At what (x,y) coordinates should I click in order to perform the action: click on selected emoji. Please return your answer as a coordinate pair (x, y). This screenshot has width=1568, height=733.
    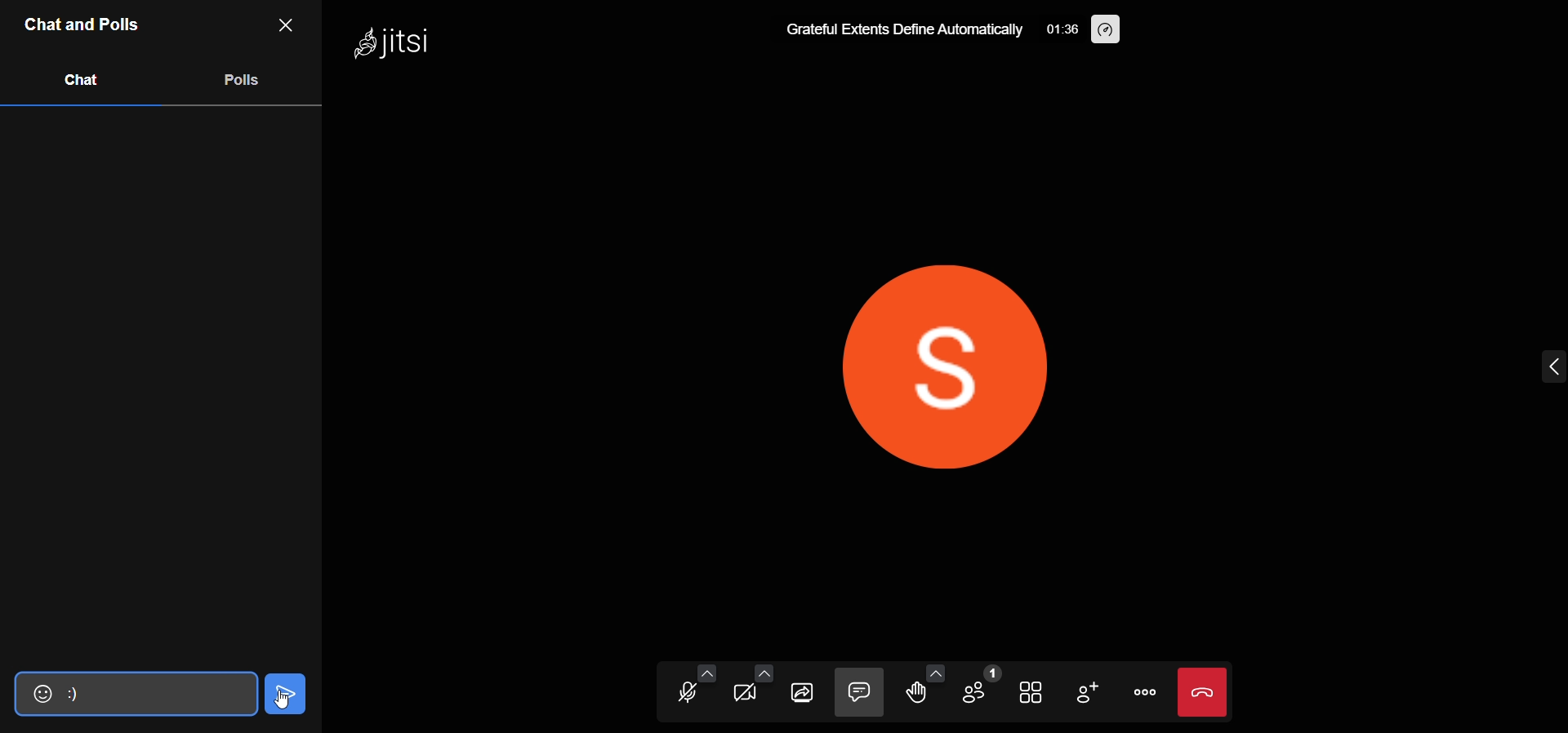
    Looking at the image, I should click on (150, 695).